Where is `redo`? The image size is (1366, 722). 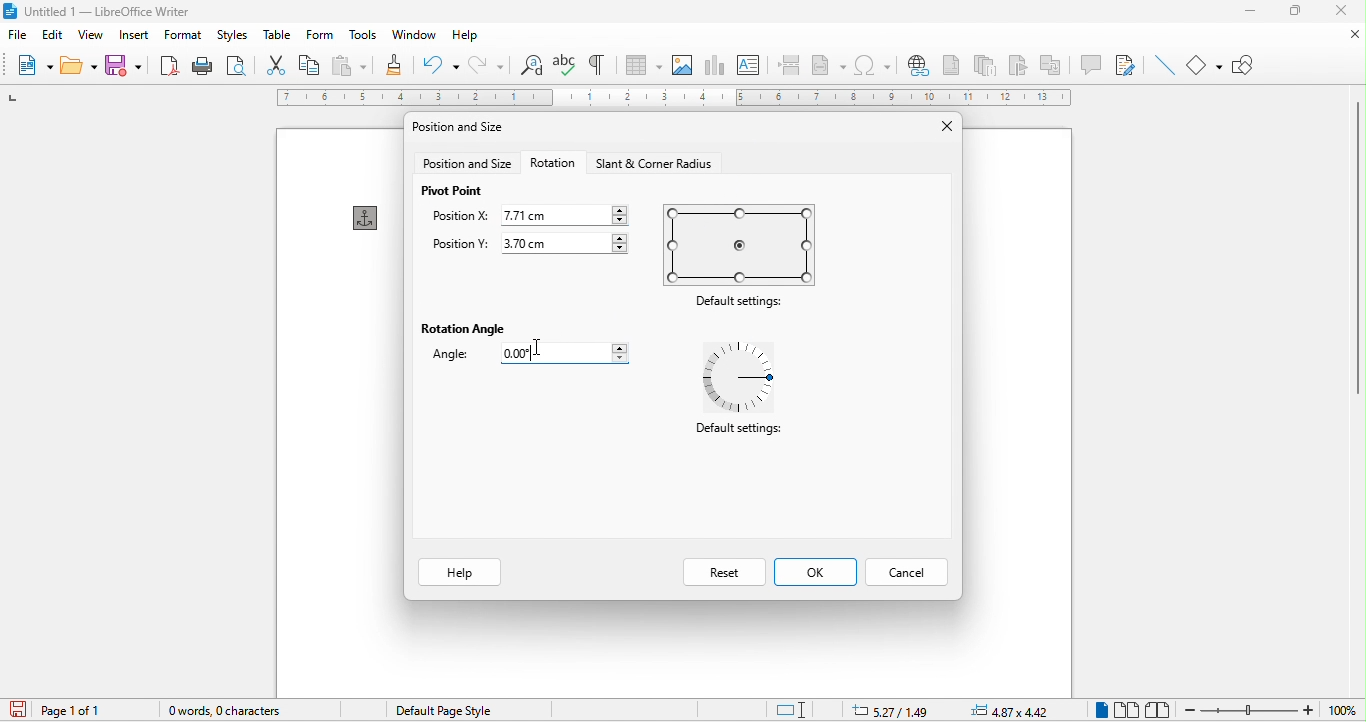
redo is located at coordinates (490, 67).